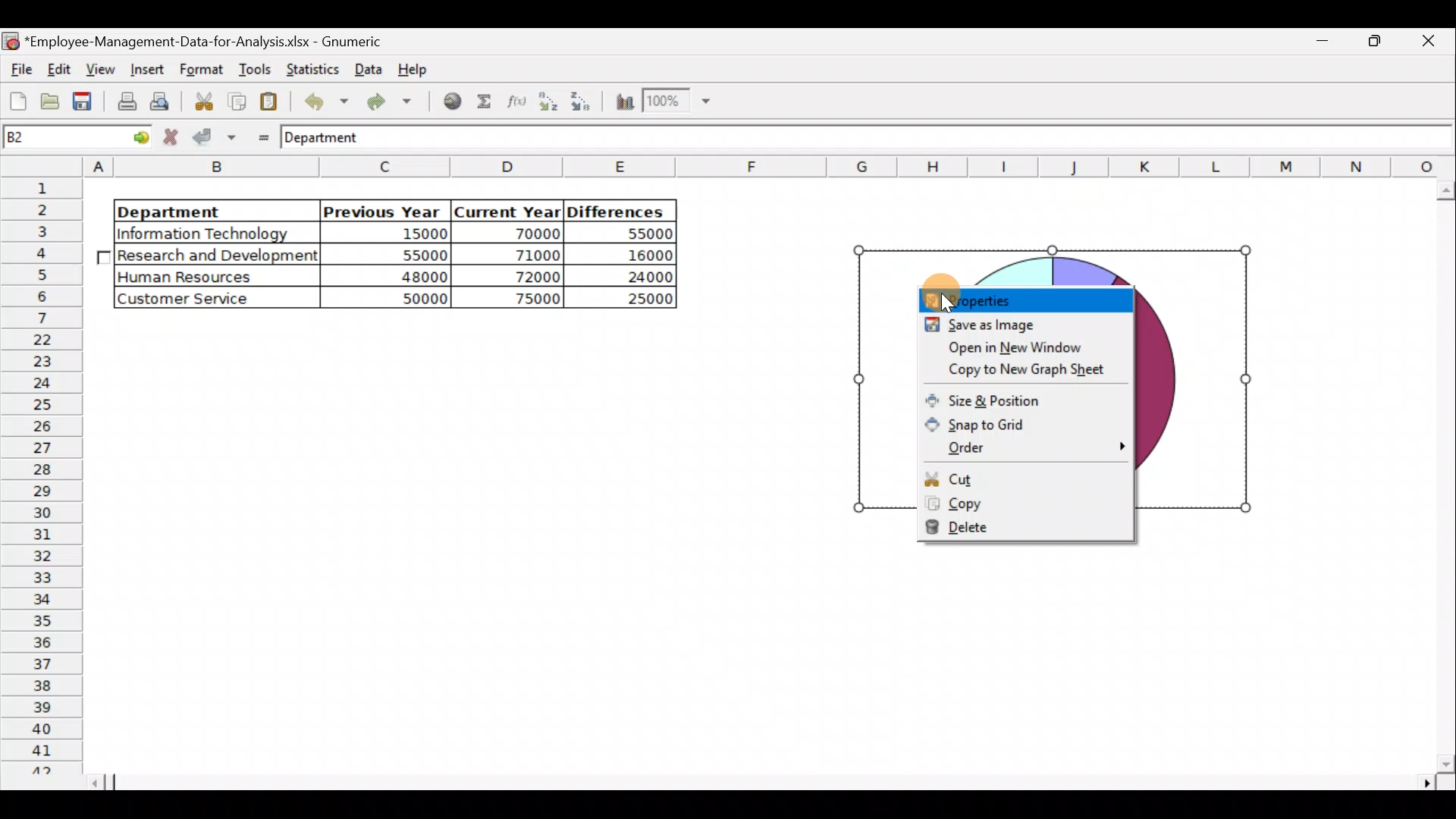 The image size is (1456, 819). Describe the element at coordinates (638, 256) in the screenshot. I see `16000` at that location.